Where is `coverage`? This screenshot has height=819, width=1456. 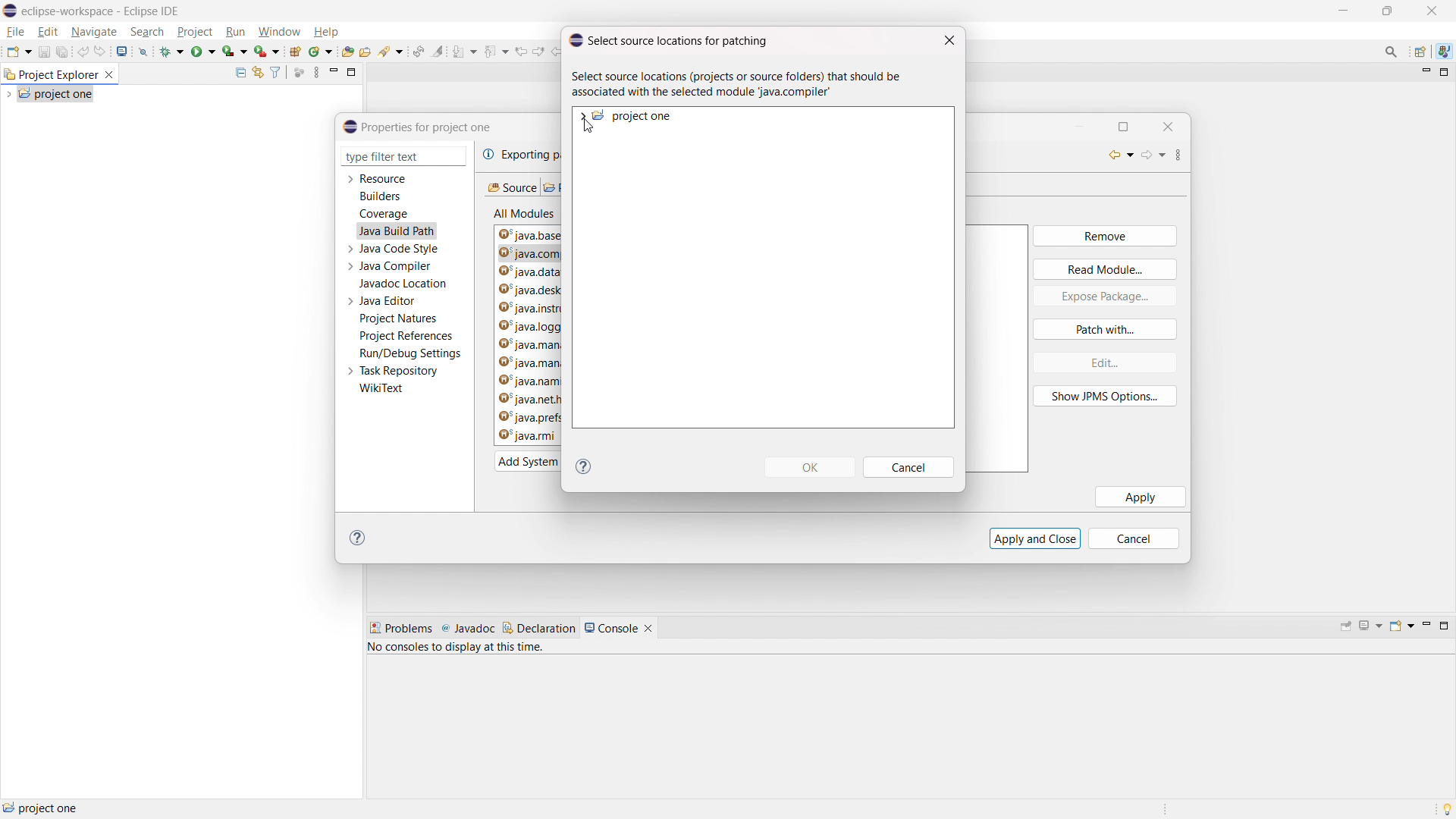
coverage is located at coordinates (384, 214).